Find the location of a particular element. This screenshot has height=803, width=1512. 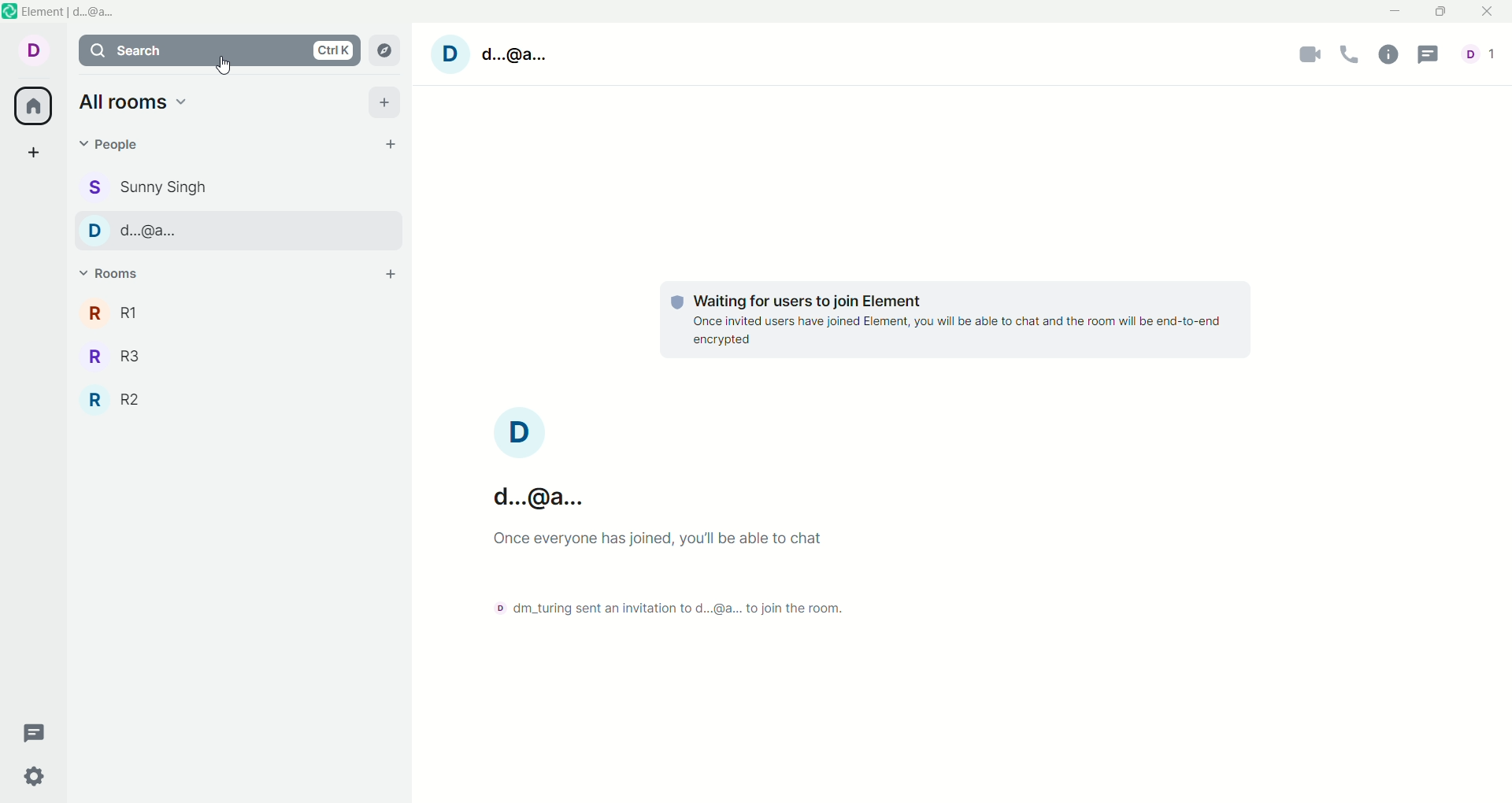

people is located at coordinates (148, 187).